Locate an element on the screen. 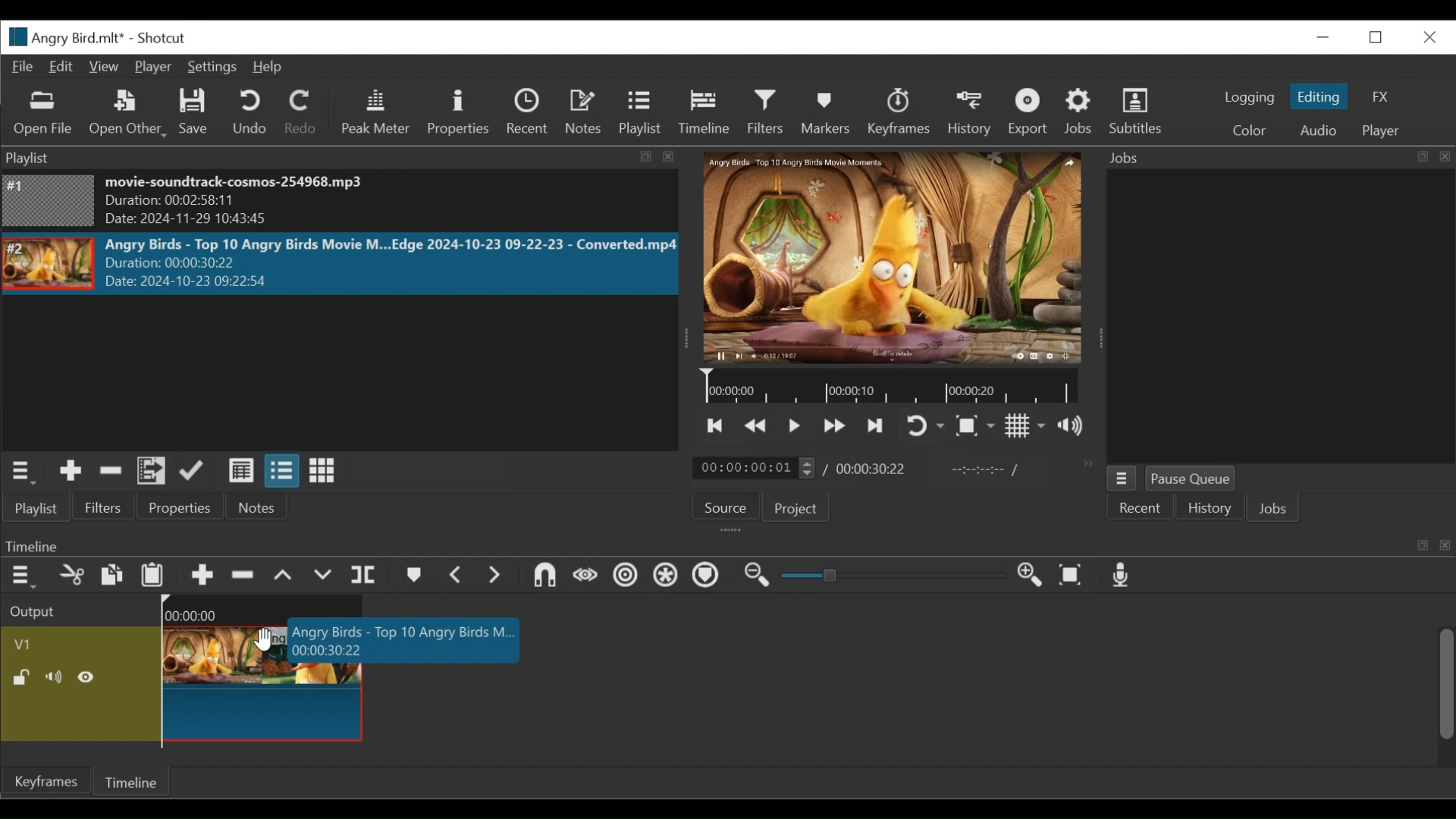 Image resolution: width=1456 pixels, height=819 pixels. Play quickly backward is located at coordinates (758, 426).